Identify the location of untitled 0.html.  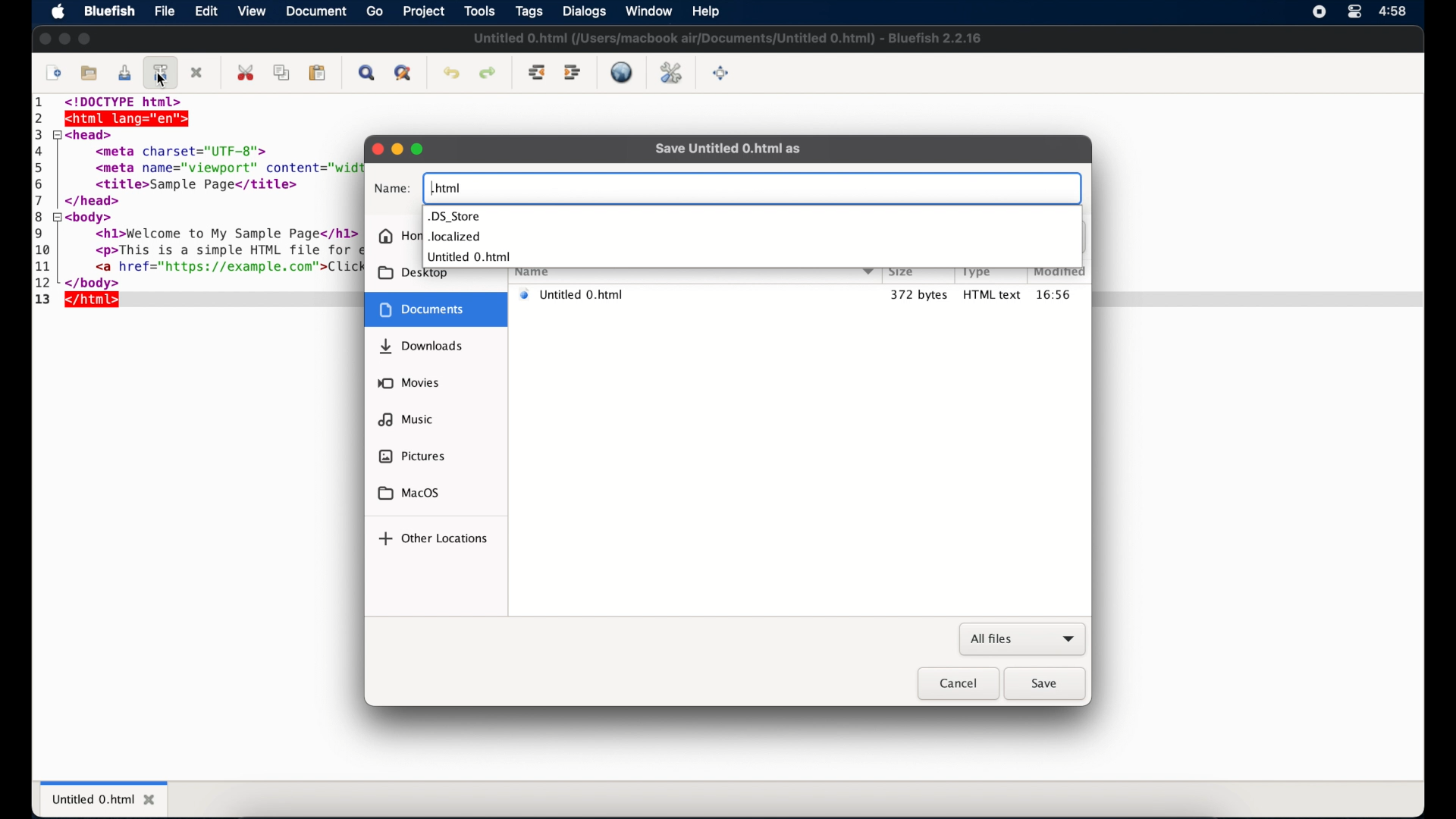
(105, 798).